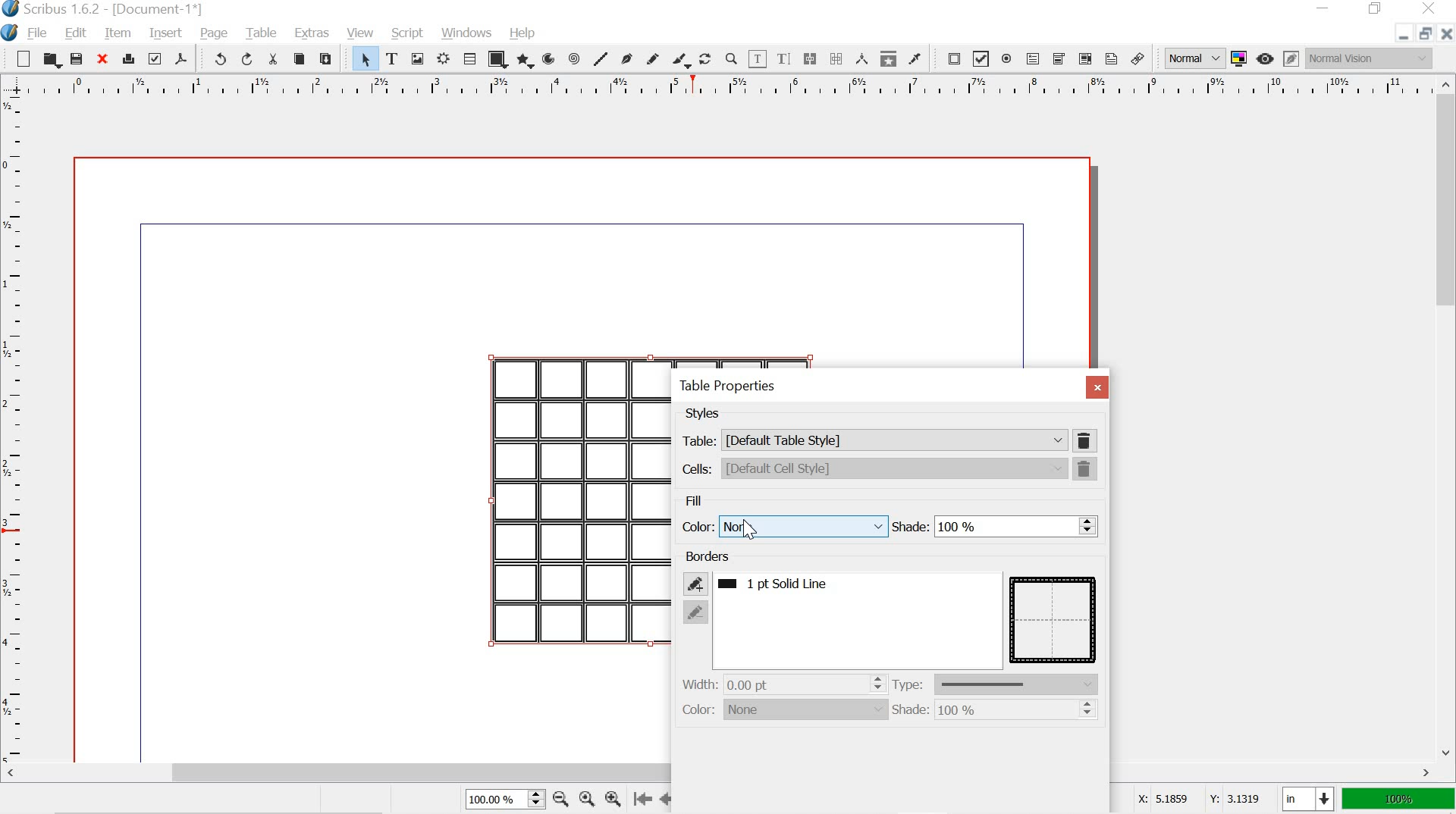  What do you see at coordinates (982, 528) in the screenshot?
I see `shade` at bounding box center [982, 528].